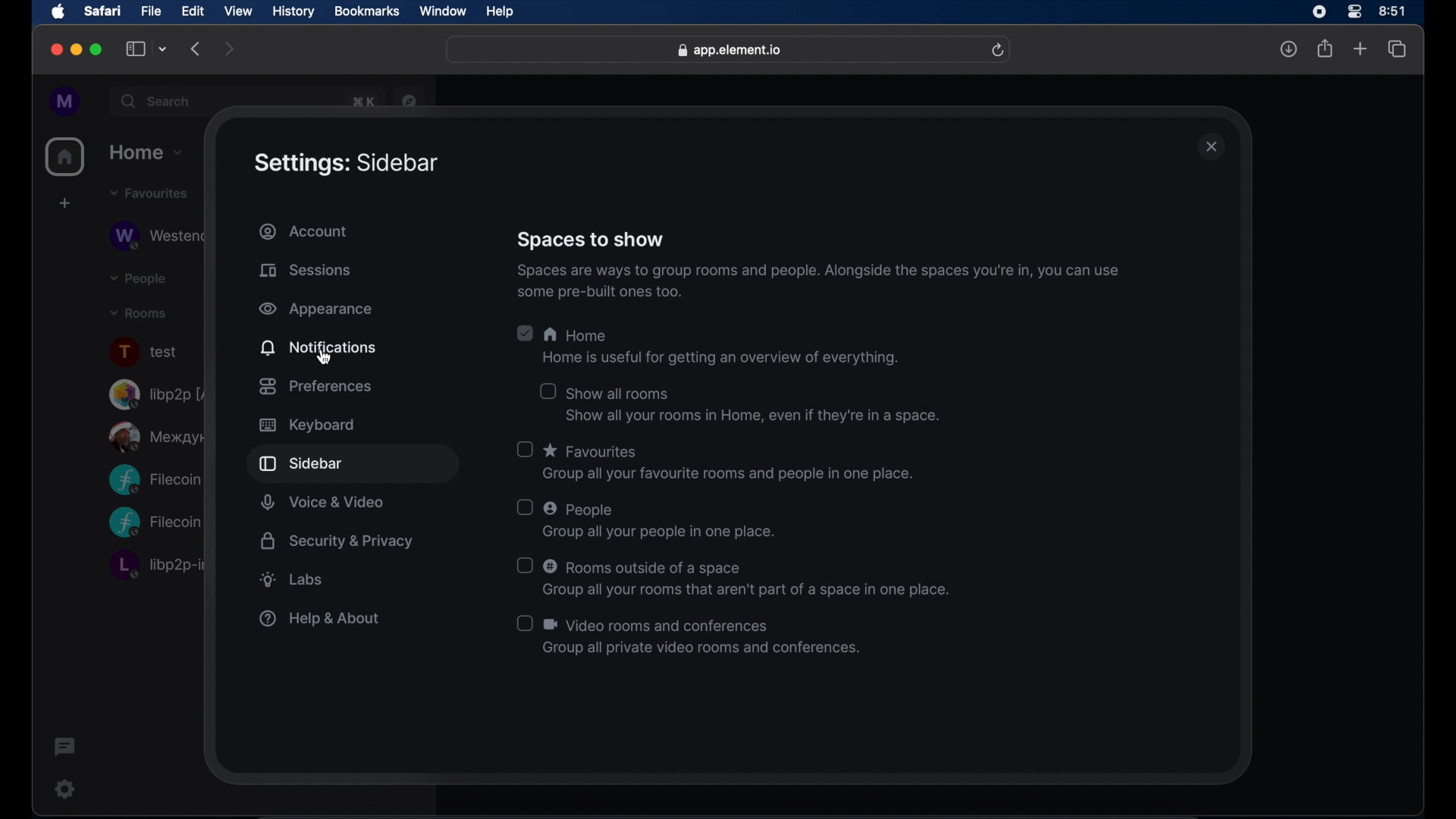 The image size is (1456, 819). I want to click on preferences, so click(315, 387).